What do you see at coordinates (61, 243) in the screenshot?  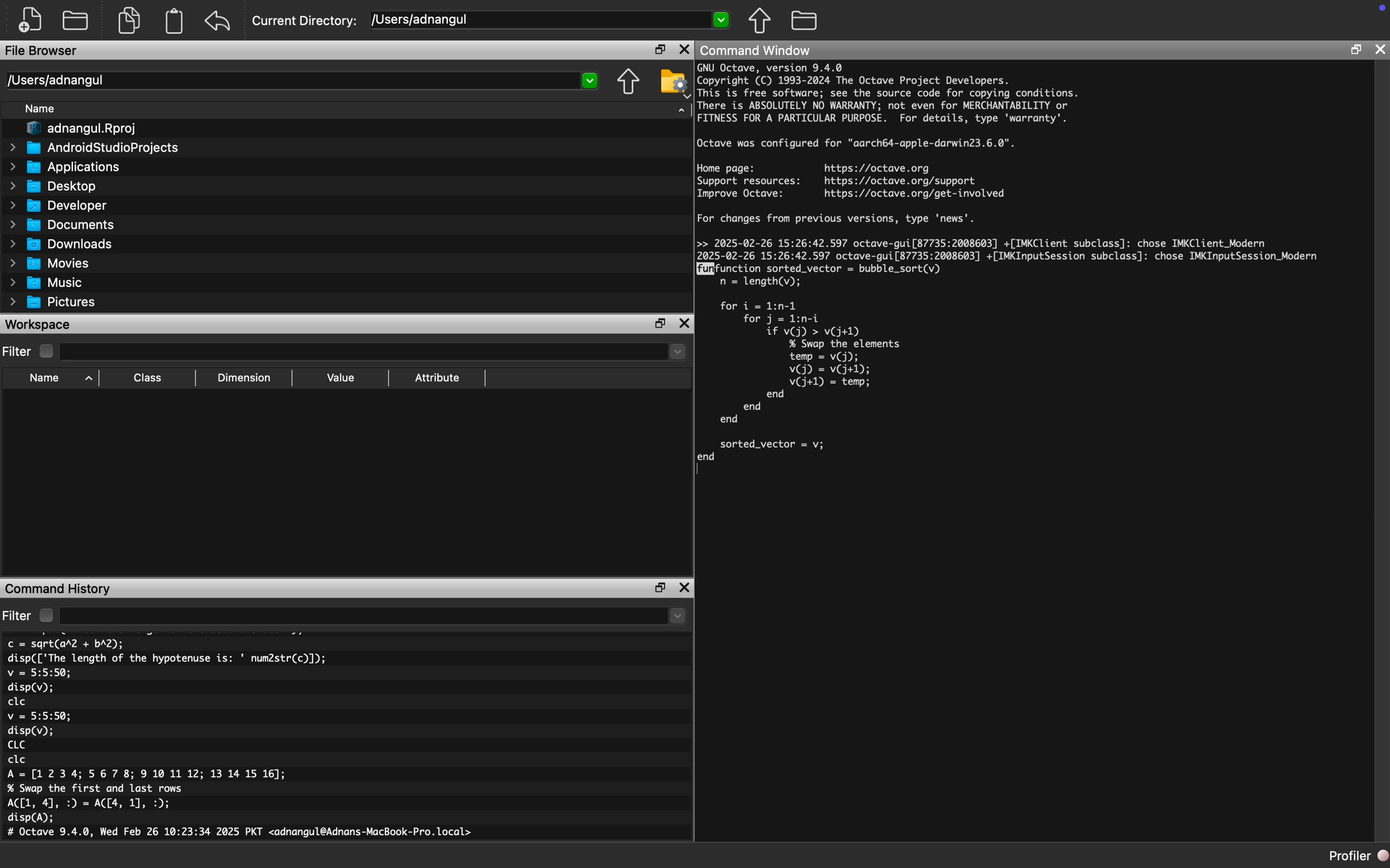 I see `Downloads` at bounding box center [61, 243].